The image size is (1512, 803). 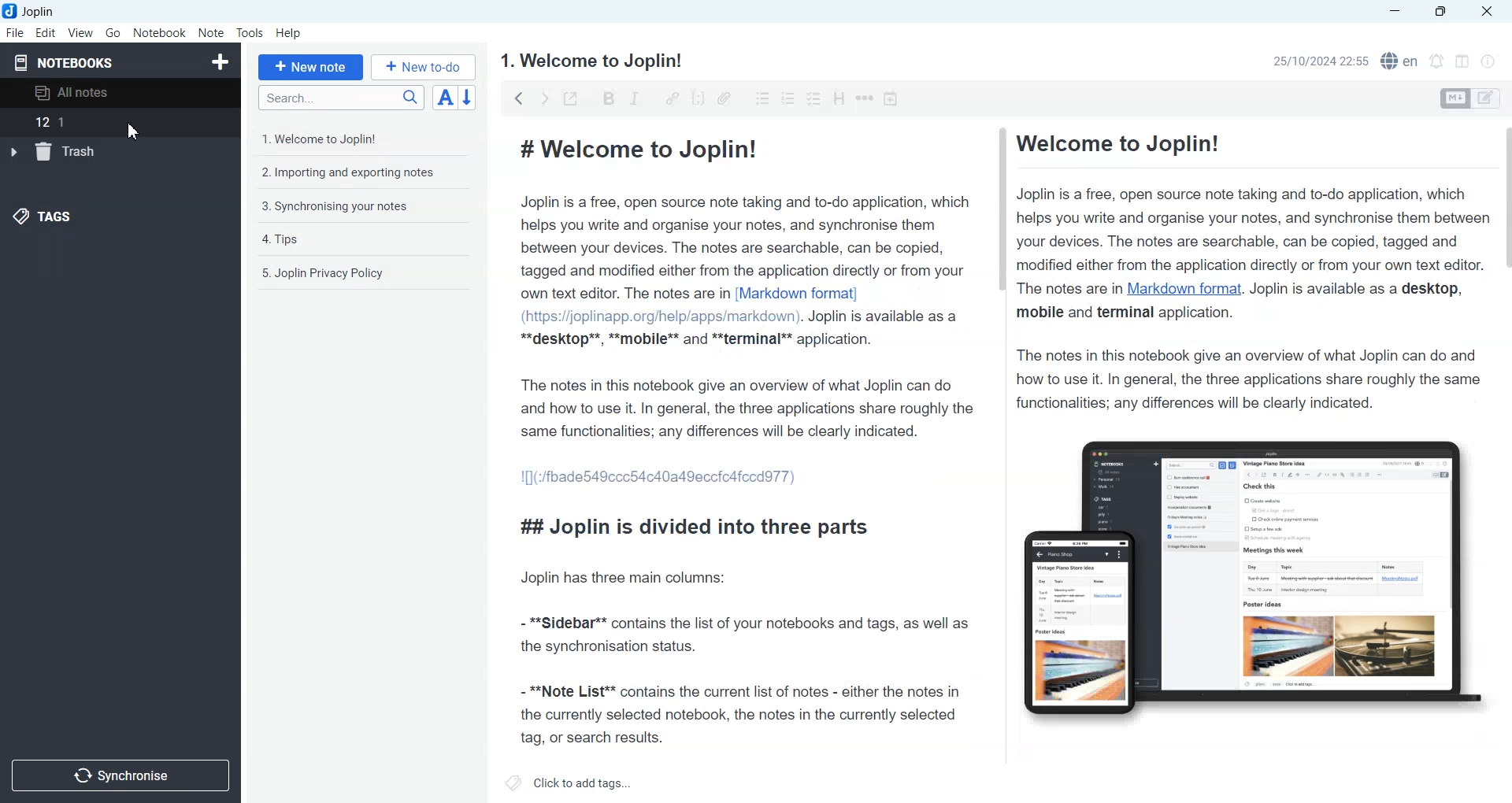 What do you see at coordinates (120, 774) in the screenshot?
I see `Synchronize` at bounding box center [120, 774].